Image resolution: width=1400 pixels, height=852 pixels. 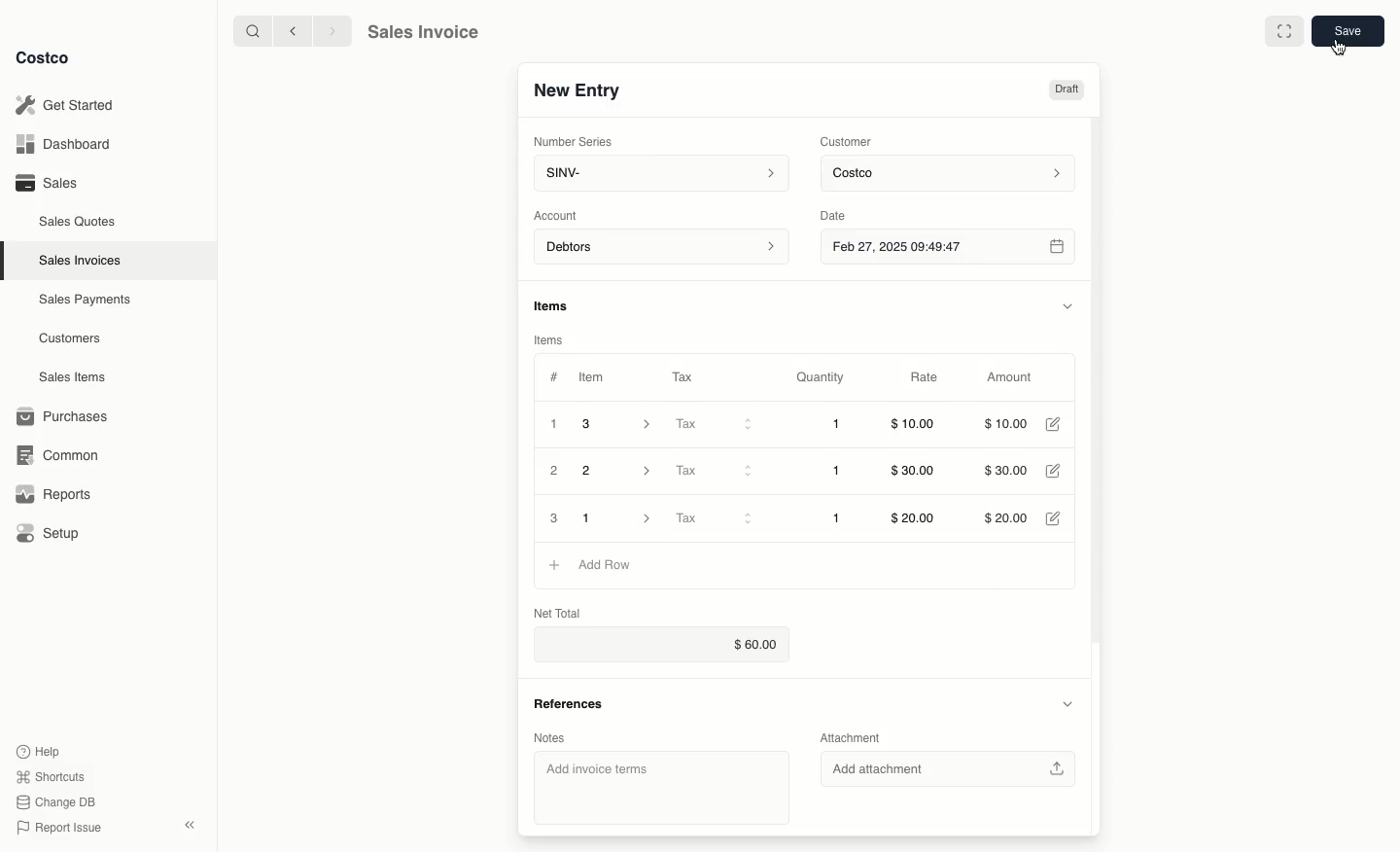 I want to click on 2, so click(x=619, y=471).